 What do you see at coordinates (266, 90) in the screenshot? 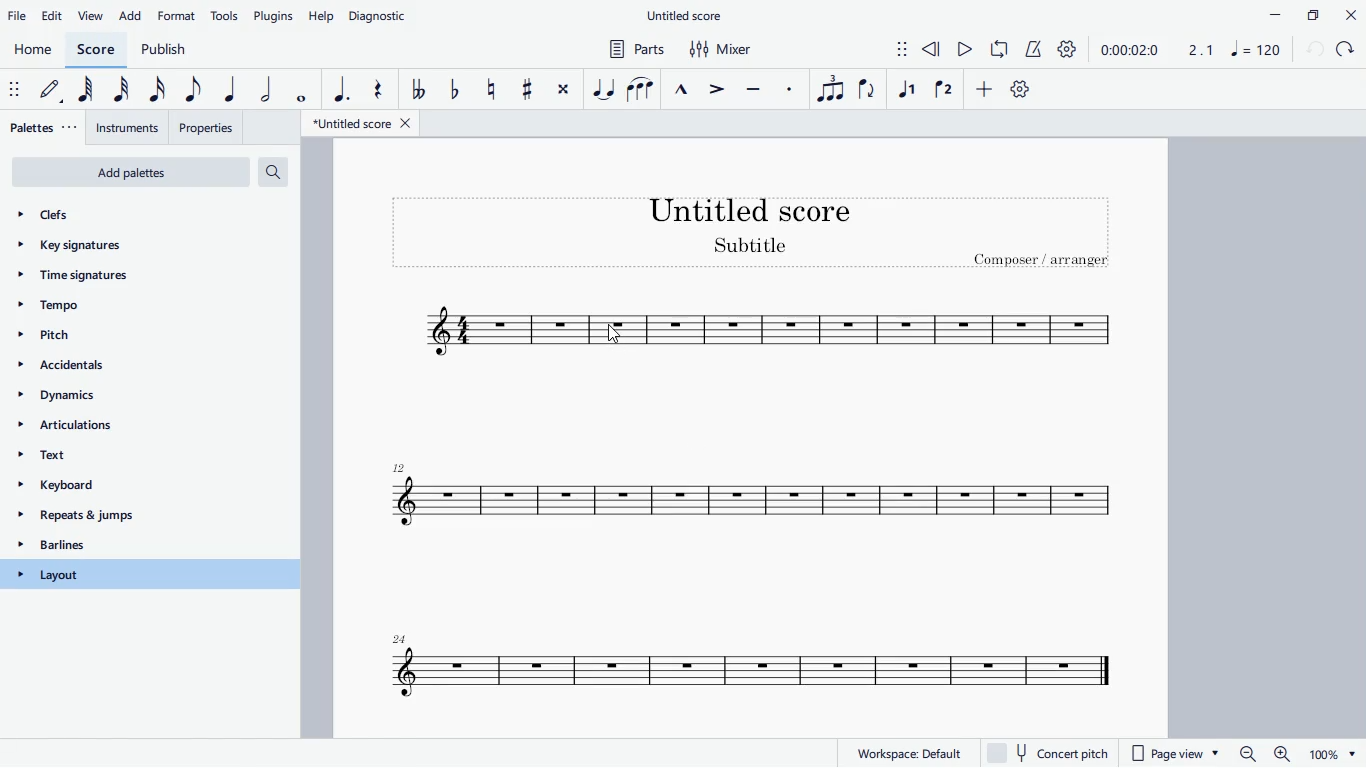
I see `half note` at bounding box center [266, 90].